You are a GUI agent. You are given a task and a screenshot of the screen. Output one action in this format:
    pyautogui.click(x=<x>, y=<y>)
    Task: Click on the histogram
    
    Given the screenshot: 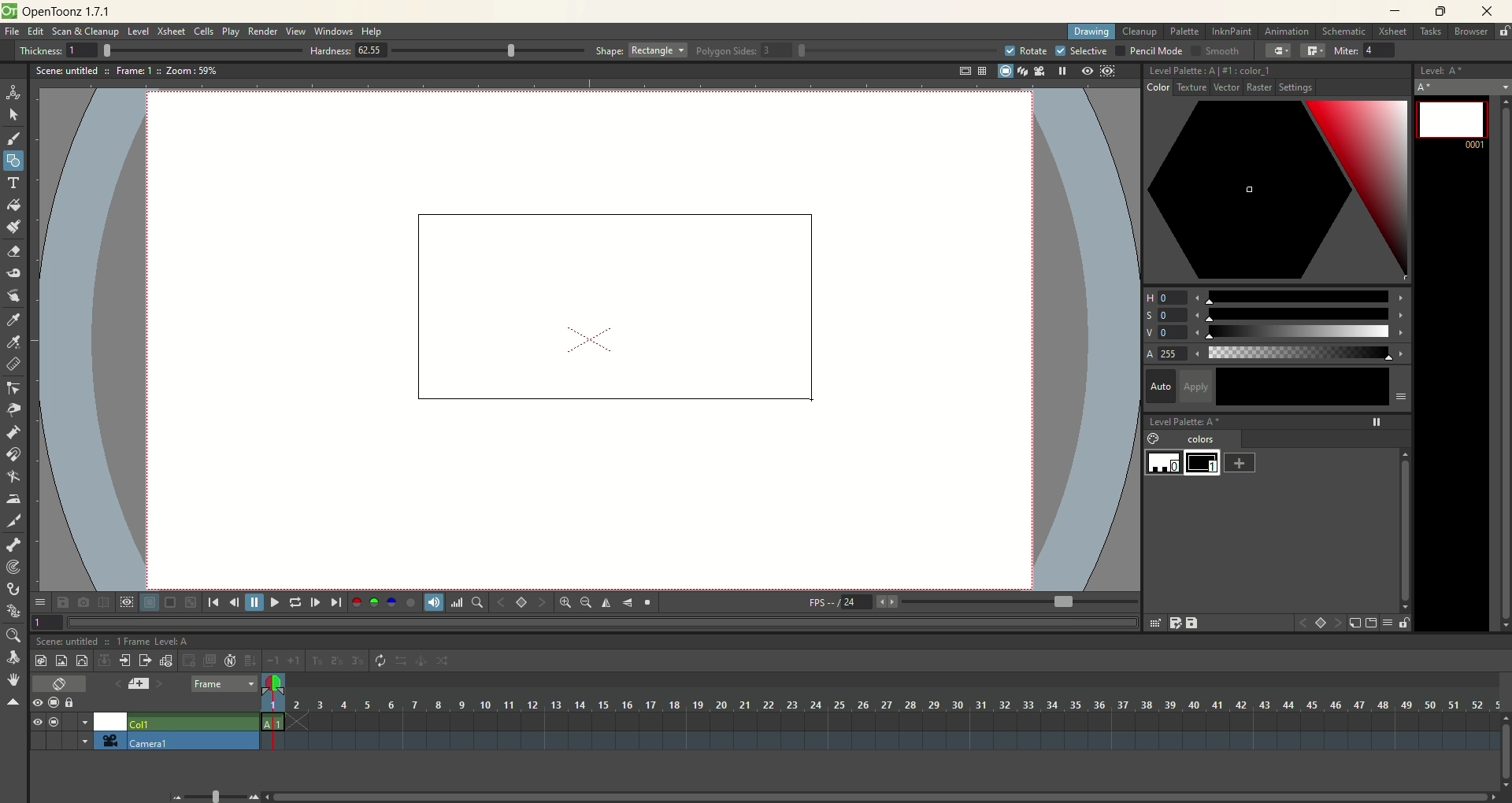 What is the action you would take?
    pyautogui.click(x=457, y=602)
    